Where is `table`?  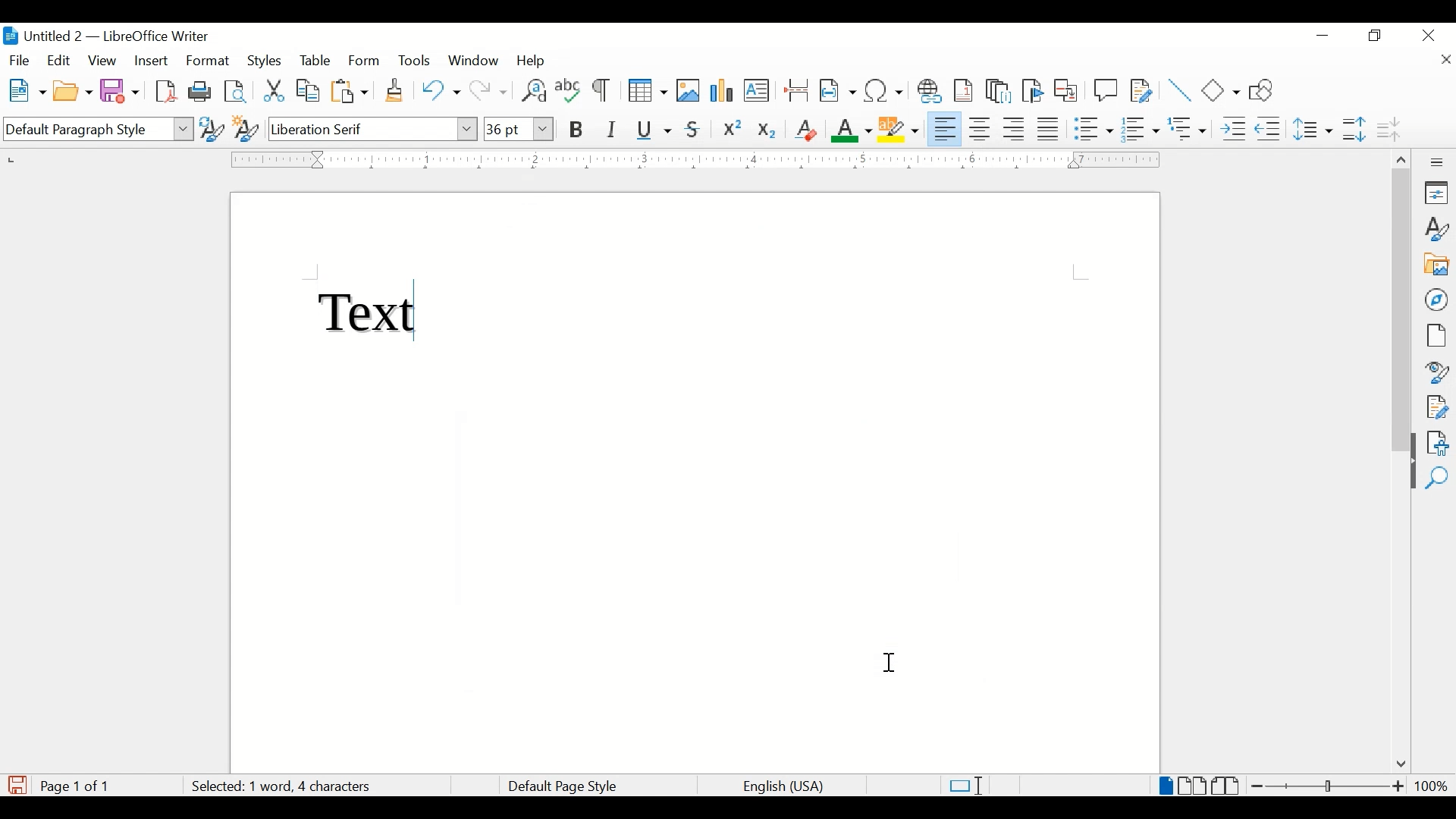 table is located at coordinates (315, 61).